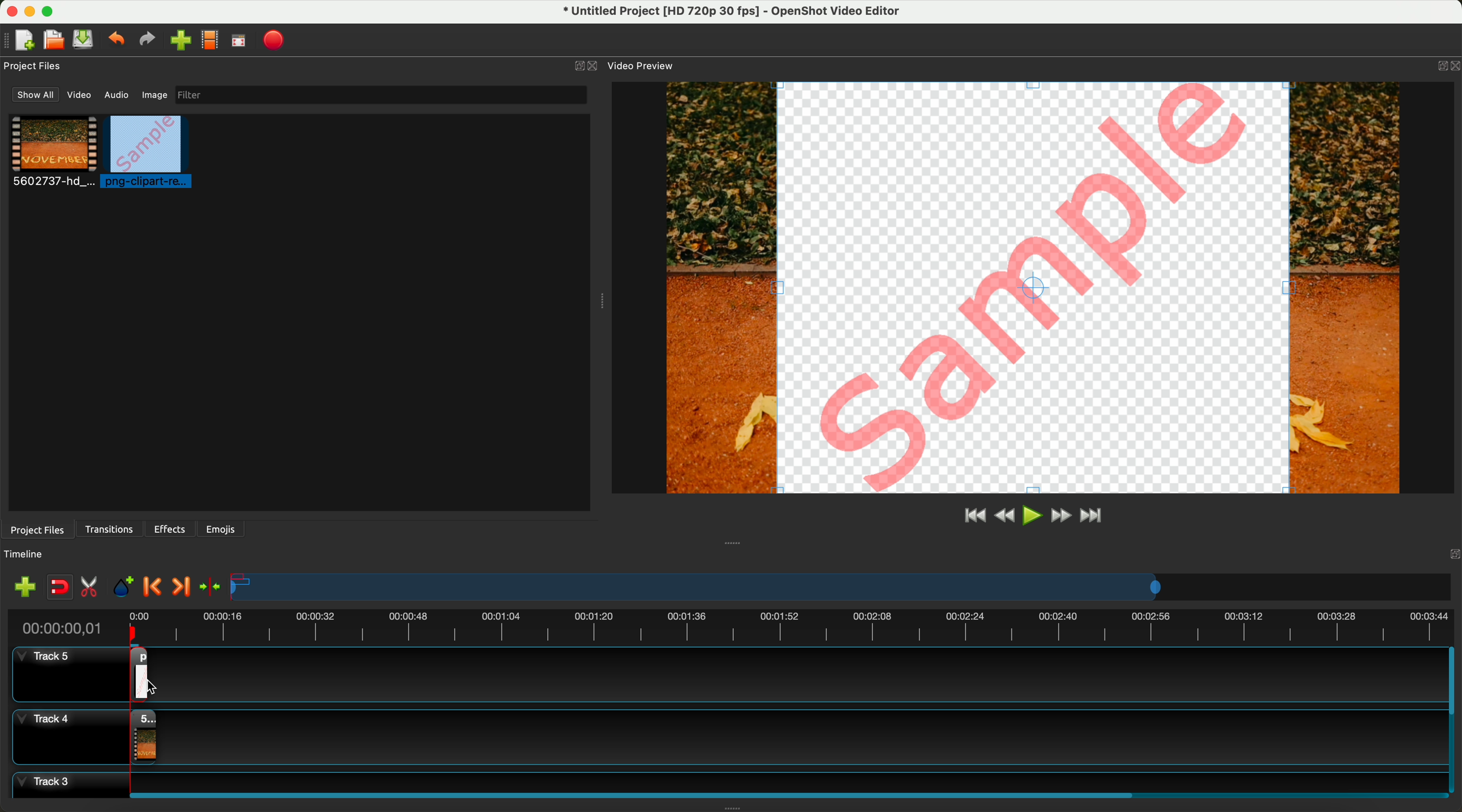 The width and height of the screenshot is (1462, 812). Describe the element at coordinates (85, 40) in the screenshot. I see `save file` at that location.